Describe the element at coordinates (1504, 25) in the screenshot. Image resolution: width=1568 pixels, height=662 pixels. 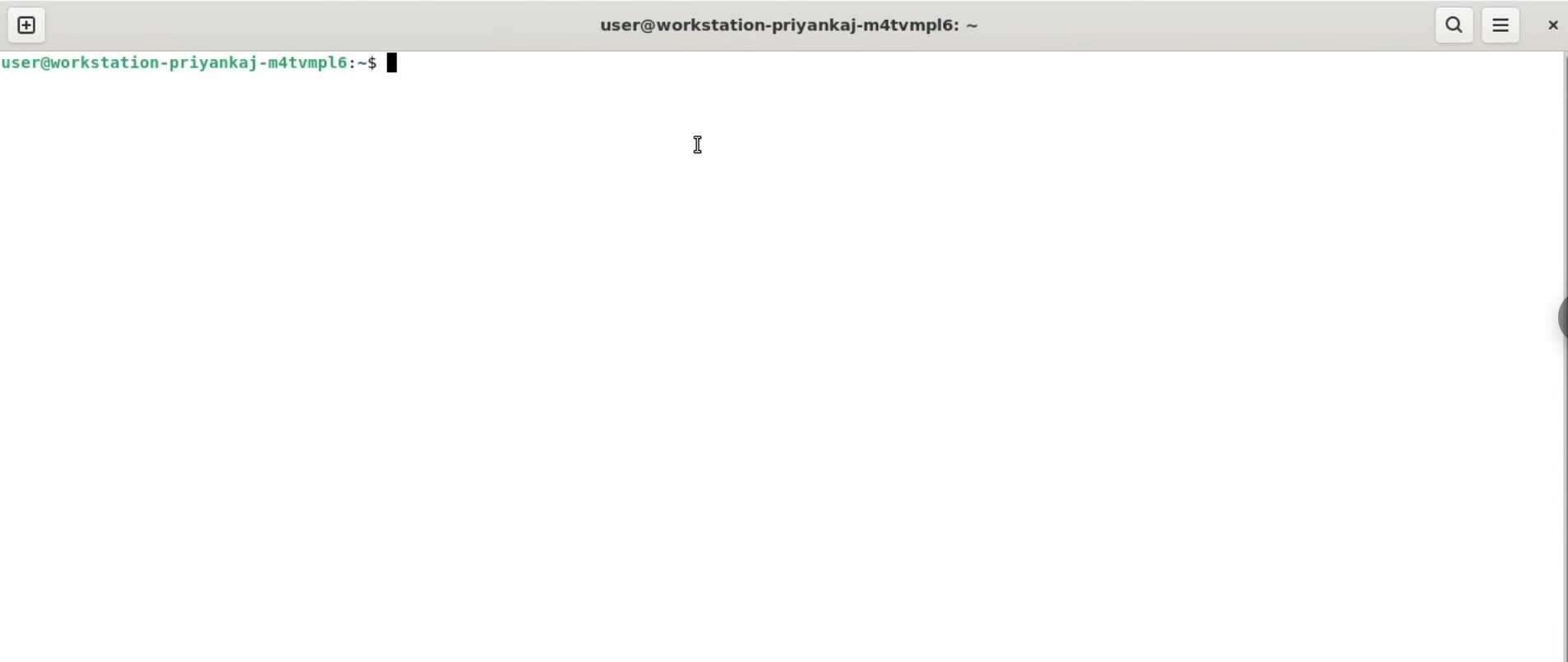
I see `menu` at that location.